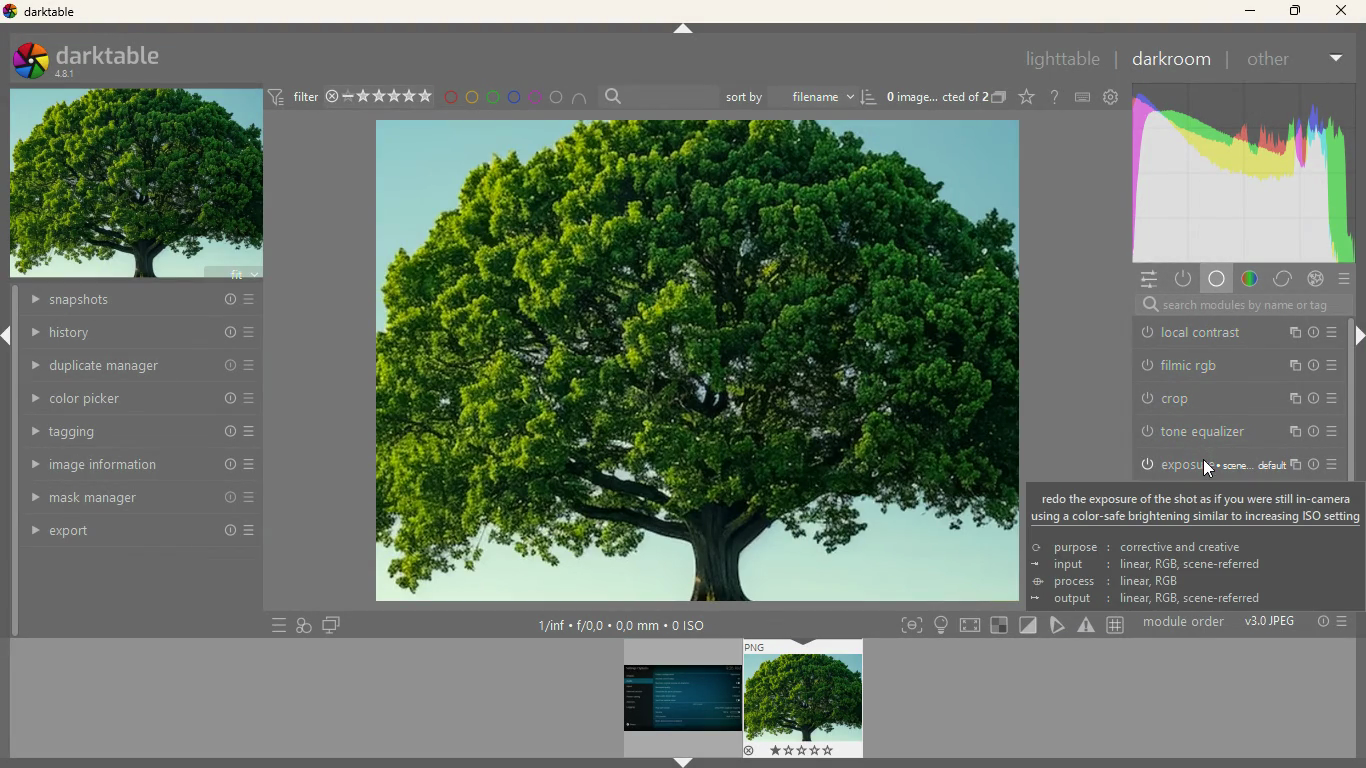  What do you see at coordinates (1250, 279) in the screenshot?
I see `gradient` at bounding box center [1250, 279].